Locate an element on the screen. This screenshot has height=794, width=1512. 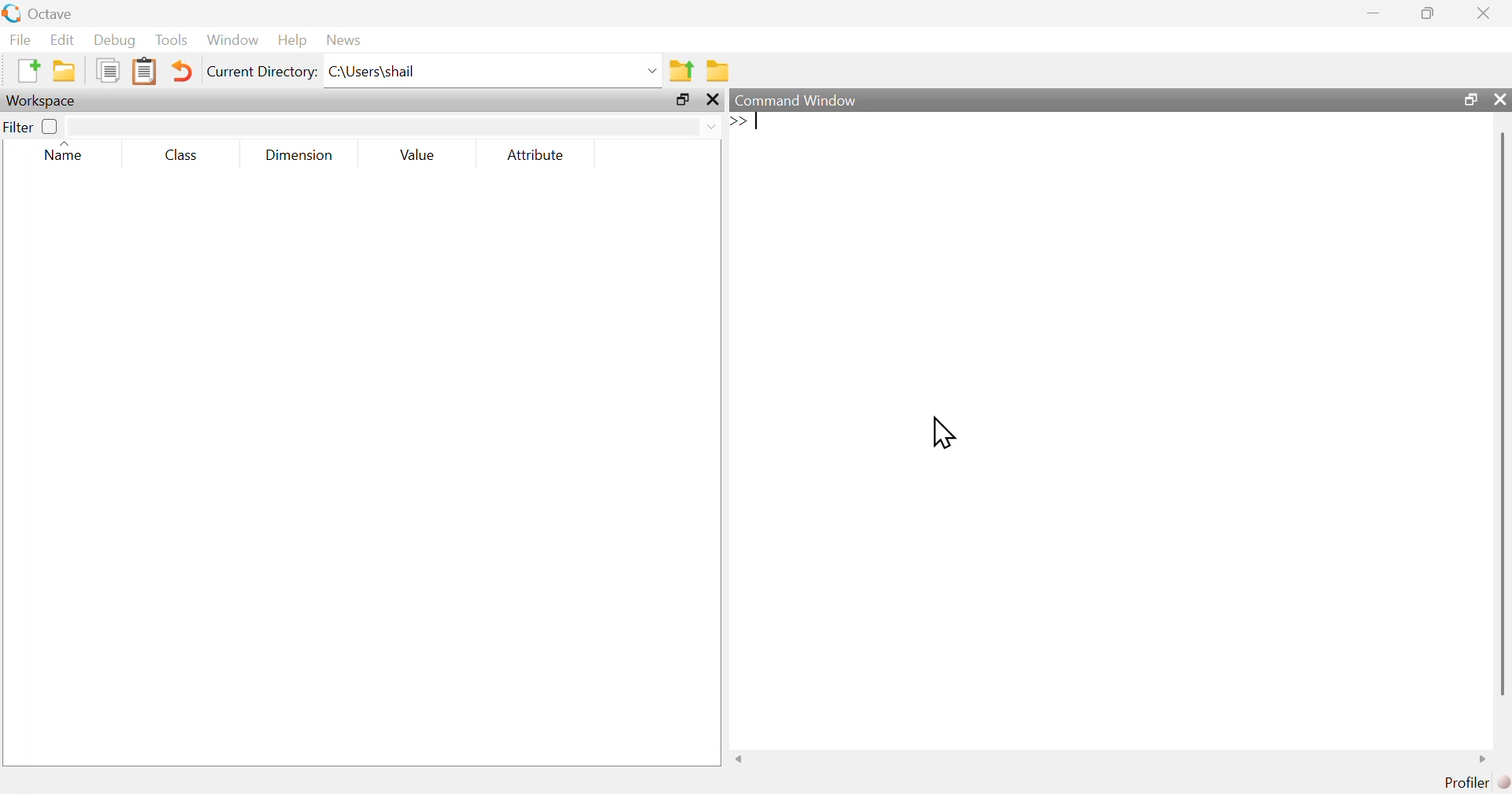
Filter is located at coordinates (32, 127).